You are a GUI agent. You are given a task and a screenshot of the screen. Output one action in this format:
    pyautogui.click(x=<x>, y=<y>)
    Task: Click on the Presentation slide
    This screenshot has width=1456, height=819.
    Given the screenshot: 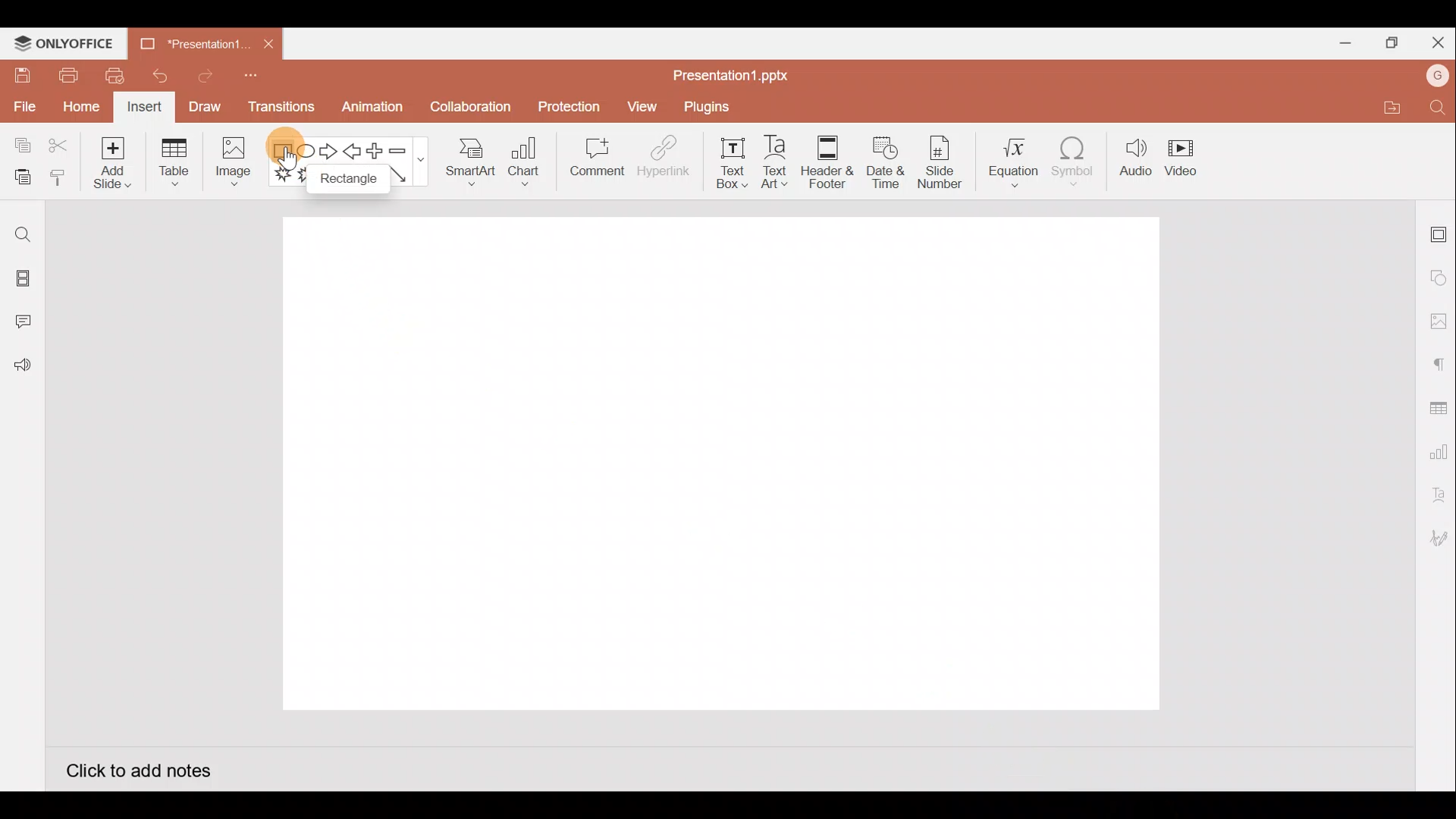 What is the action you would take?
    pyautogui.click(x=716, y=460)
    